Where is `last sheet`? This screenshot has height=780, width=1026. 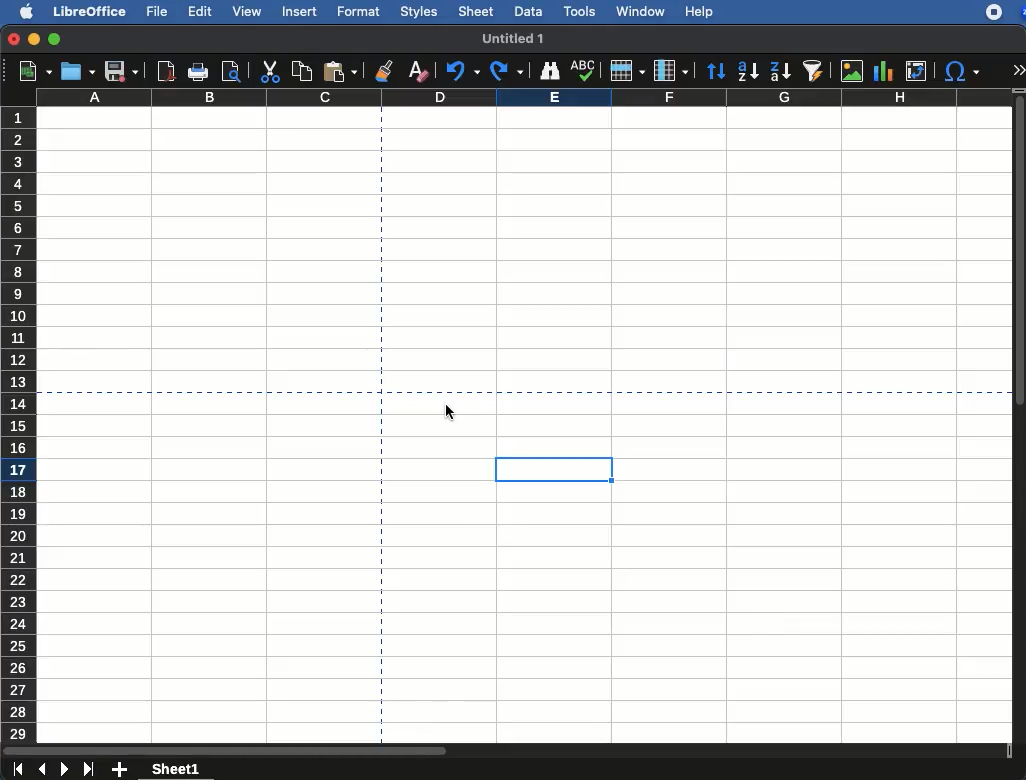 last sheet is located at coordinates (91, 769).